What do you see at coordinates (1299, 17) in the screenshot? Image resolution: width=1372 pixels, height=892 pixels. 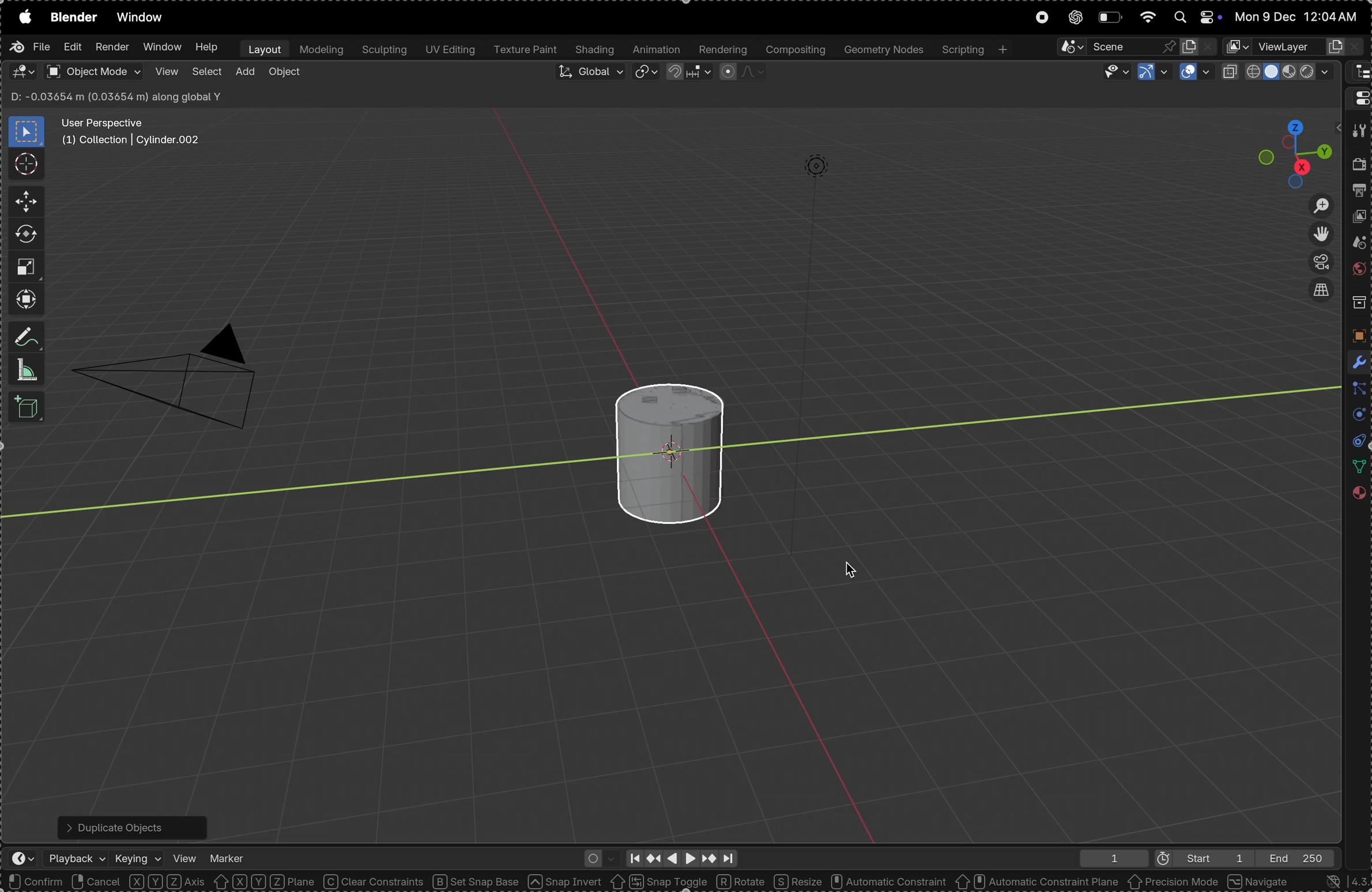 I see `date and time` at bounding box center [1299, 17].